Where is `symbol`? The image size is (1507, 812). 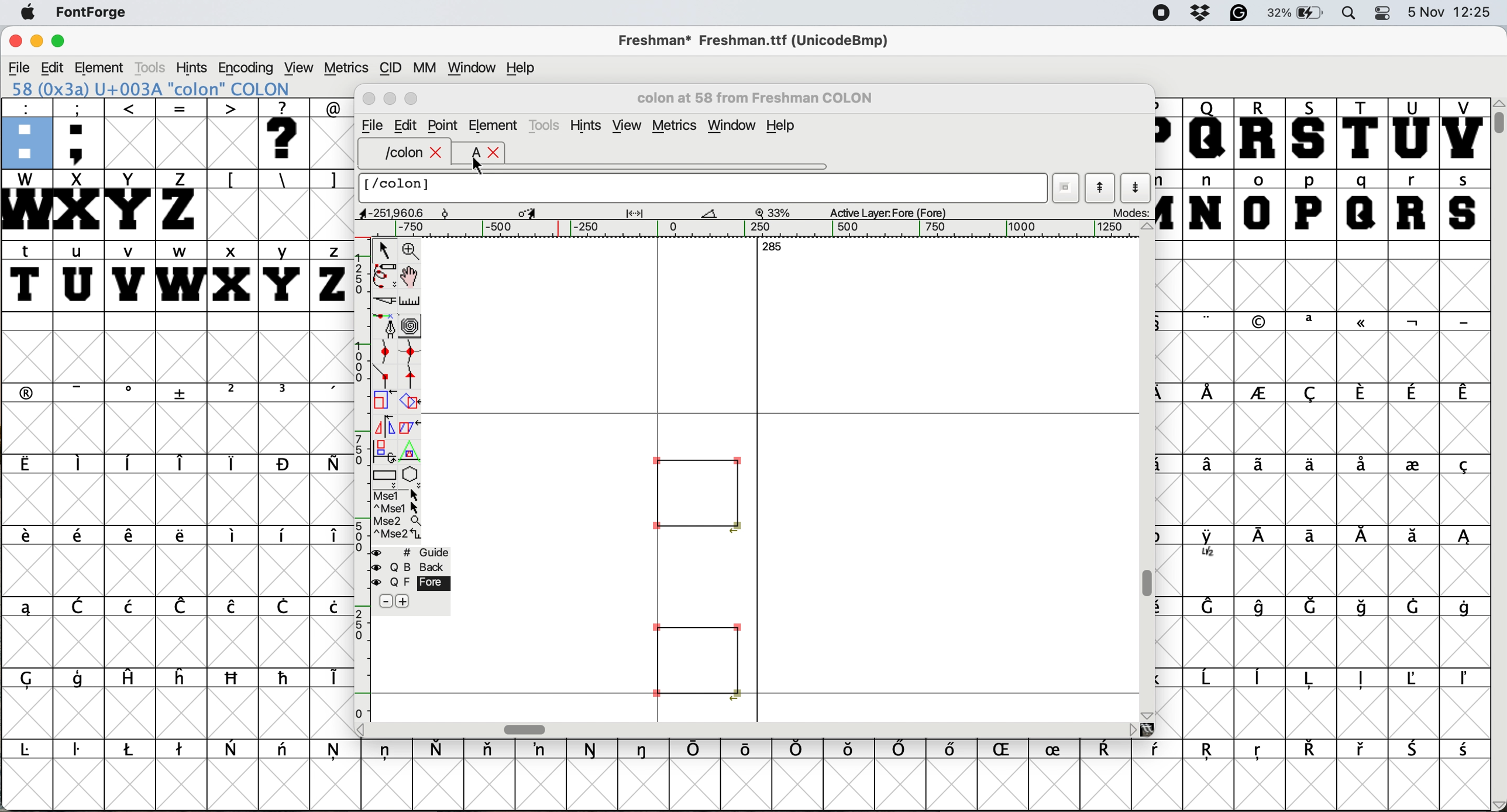
symbol is located at coordinates (81, 465).